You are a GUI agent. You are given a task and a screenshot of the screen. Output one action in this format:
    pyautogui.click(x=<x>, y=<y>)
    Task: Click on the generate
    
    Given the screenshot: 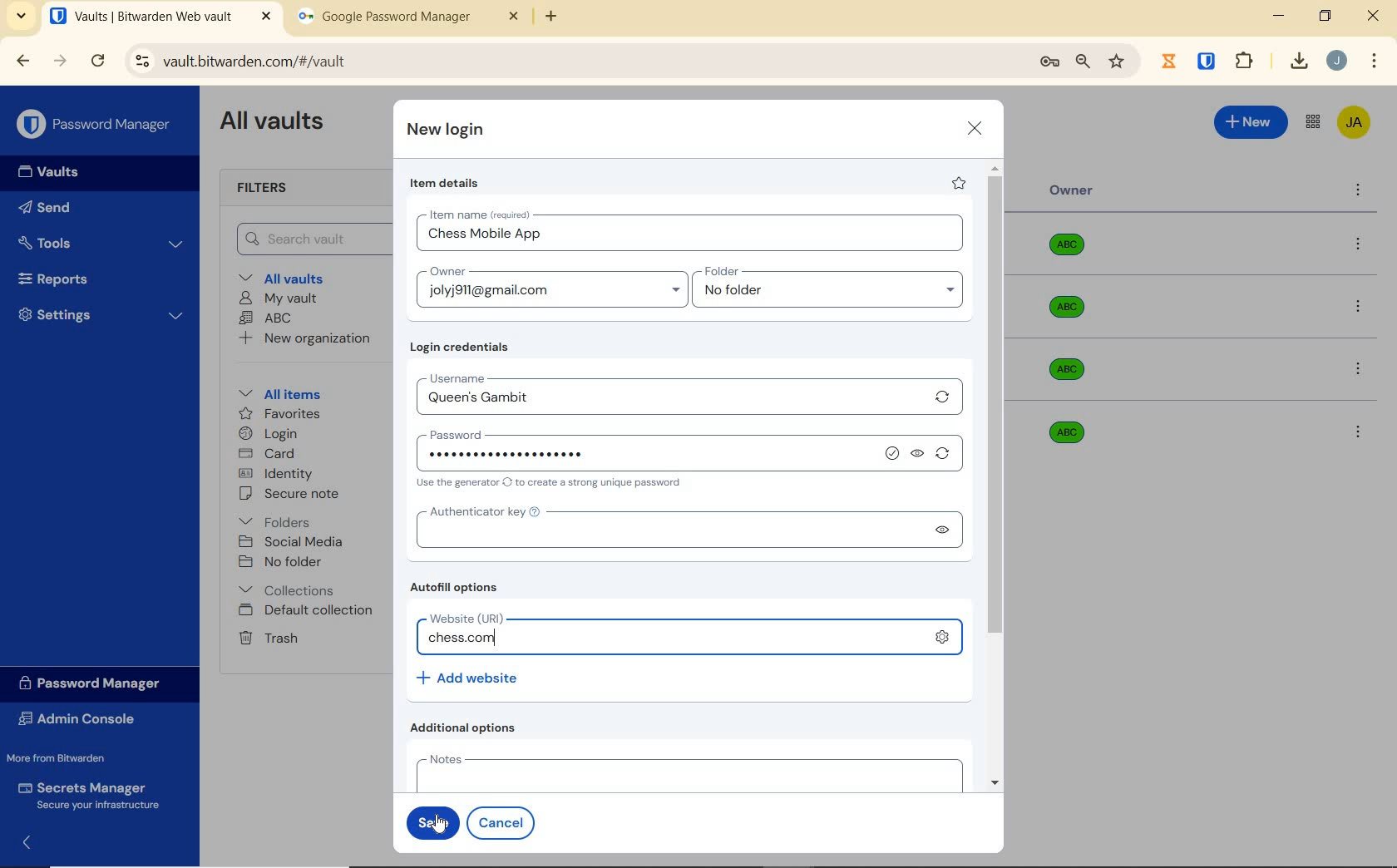 What is the action you would take?
    pyautogui.click(x=946, y=456)
    